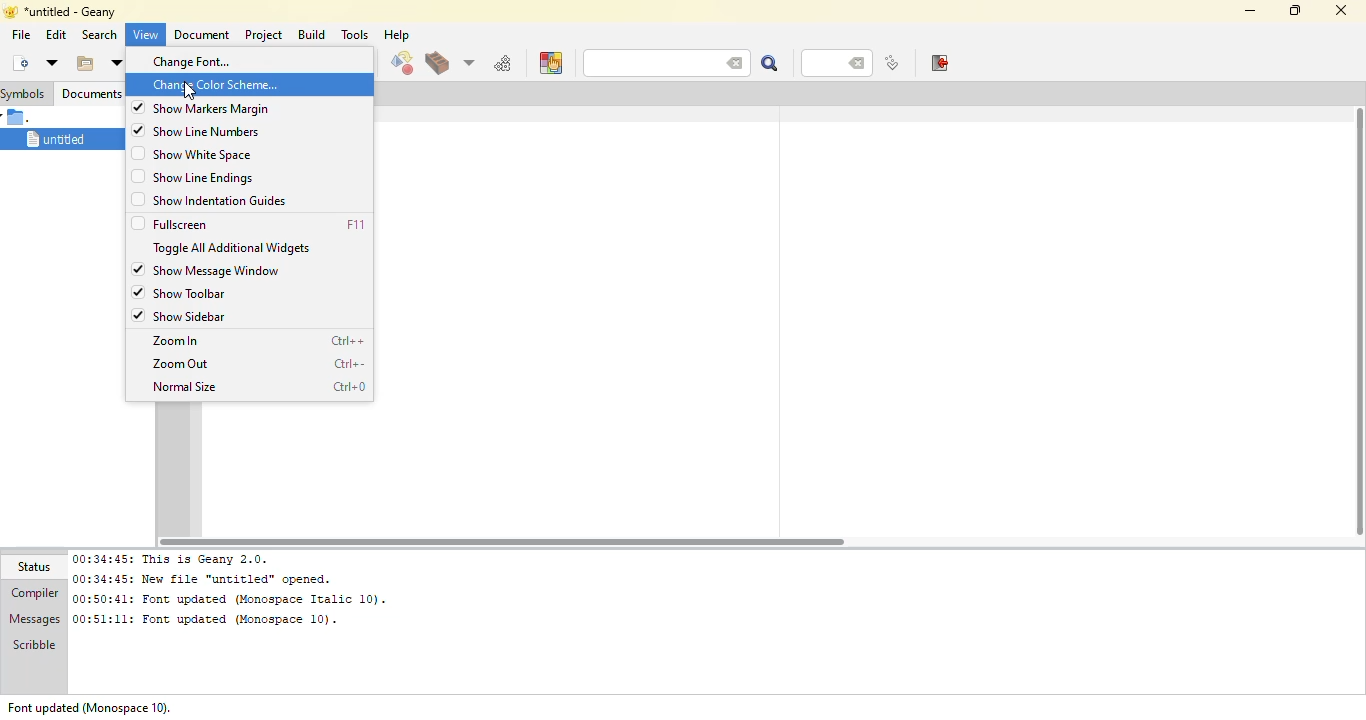 Image resolution: width=1366 pixels, height=720 pixels. What do you see at coordinates (136, 223) in the screenshot?
I see `click to enable` at bounding box center [136, 223].